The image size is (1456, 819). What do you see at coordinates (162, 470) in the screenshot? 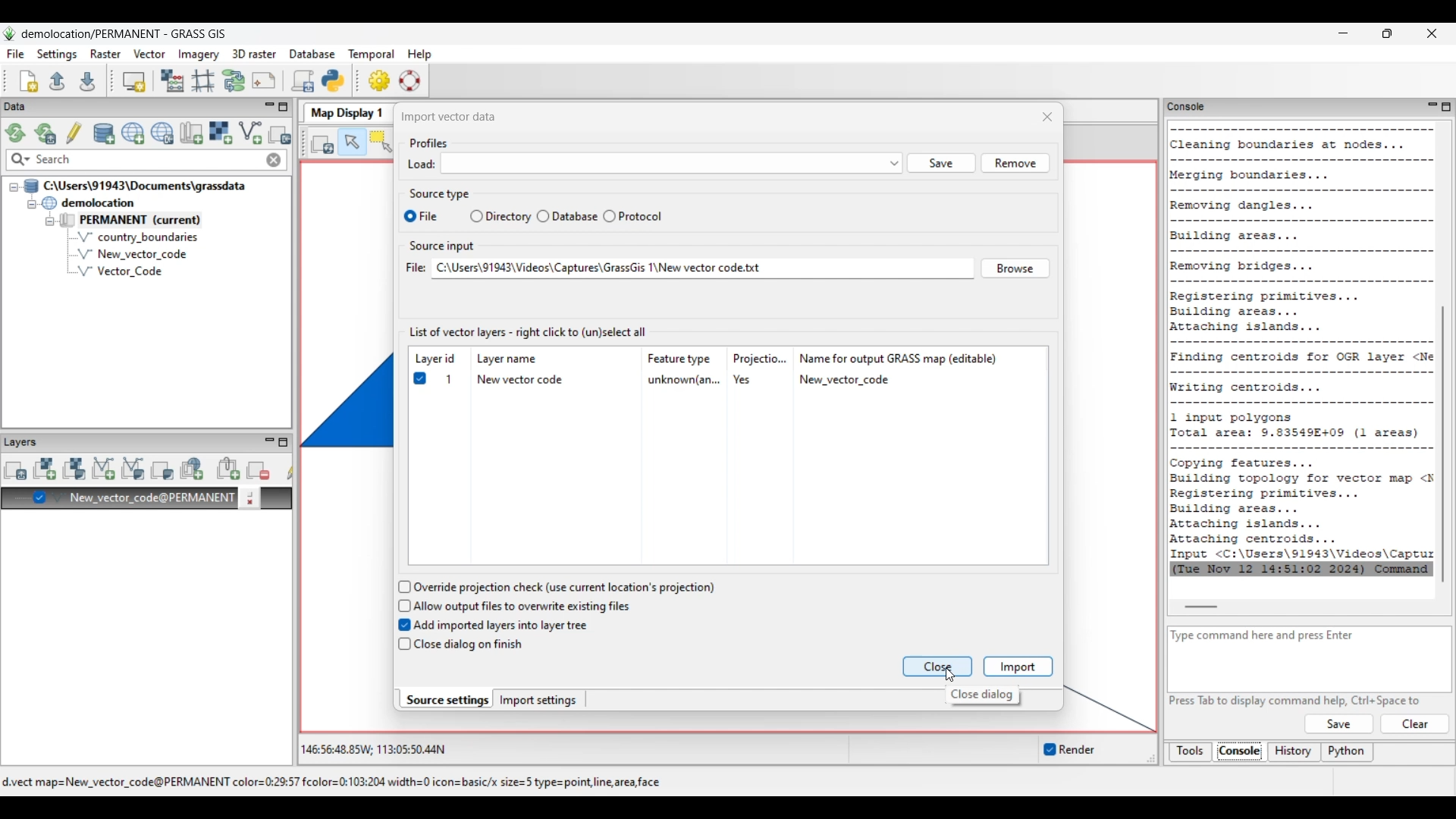
I see `Add various overlays` at bounding box center [162, 470].